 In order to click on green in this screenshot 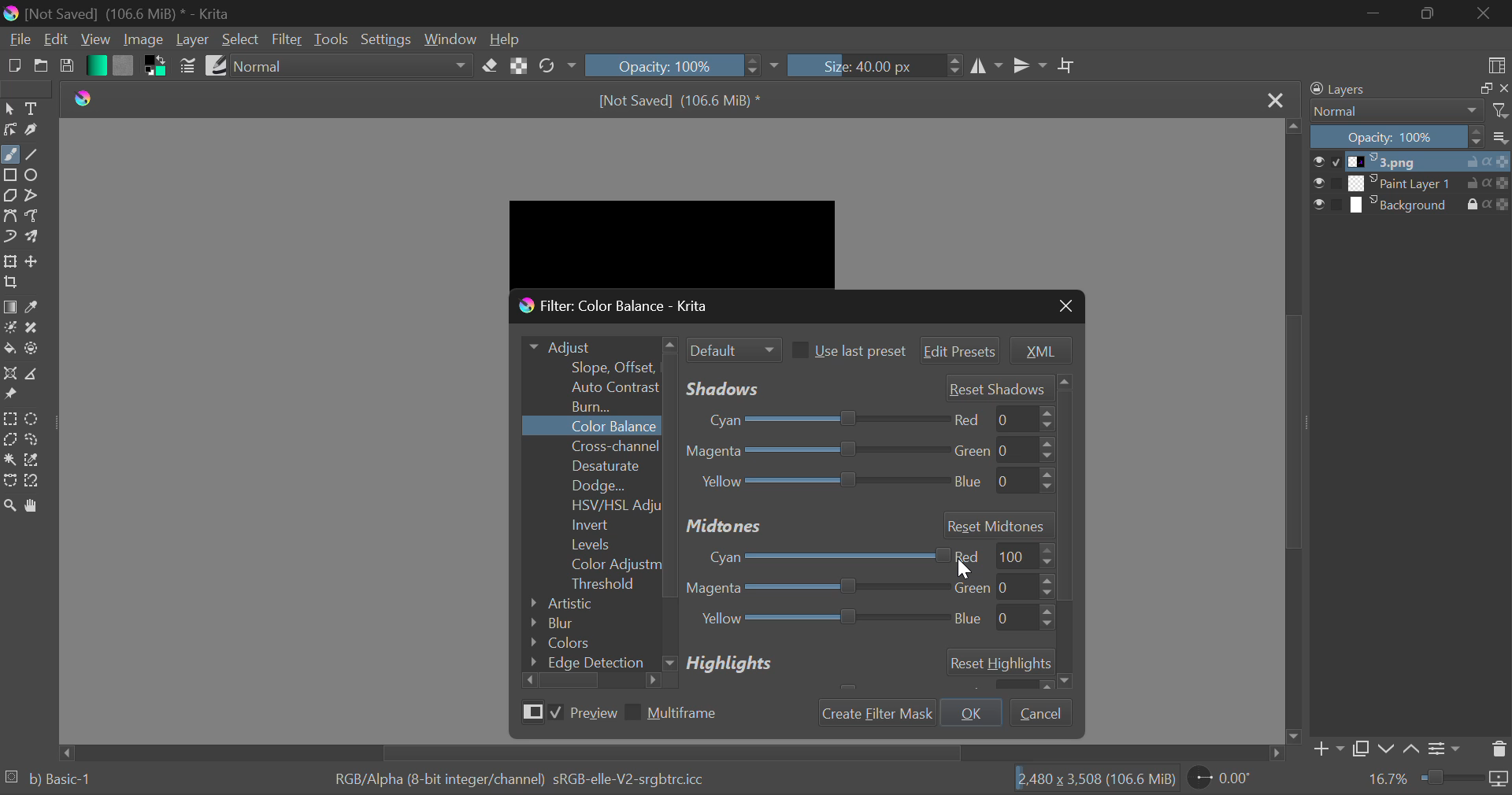, I will do `click(997, 586)`.